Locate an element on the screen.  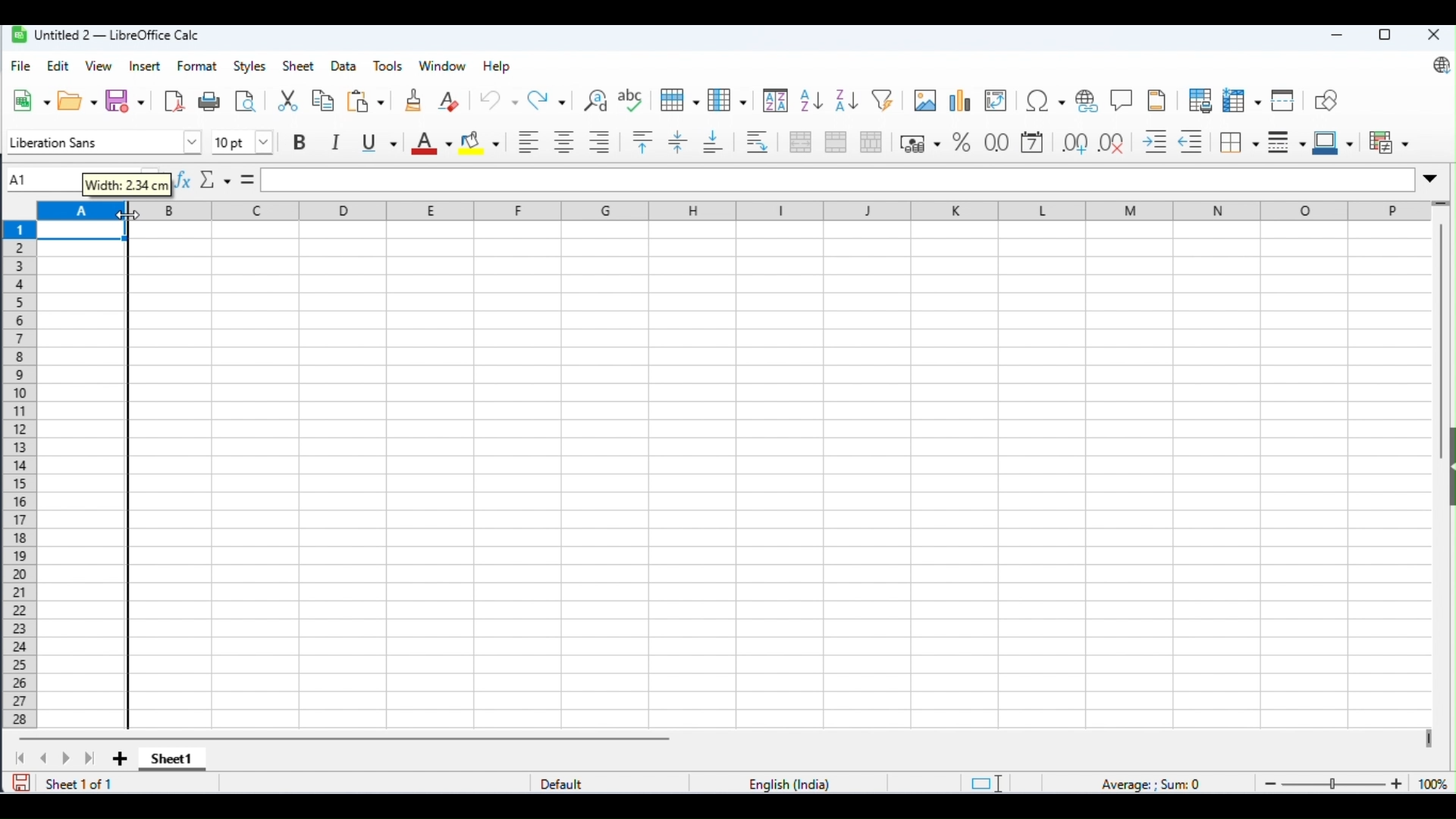
cursor movement is located at coordinates (129, 216).